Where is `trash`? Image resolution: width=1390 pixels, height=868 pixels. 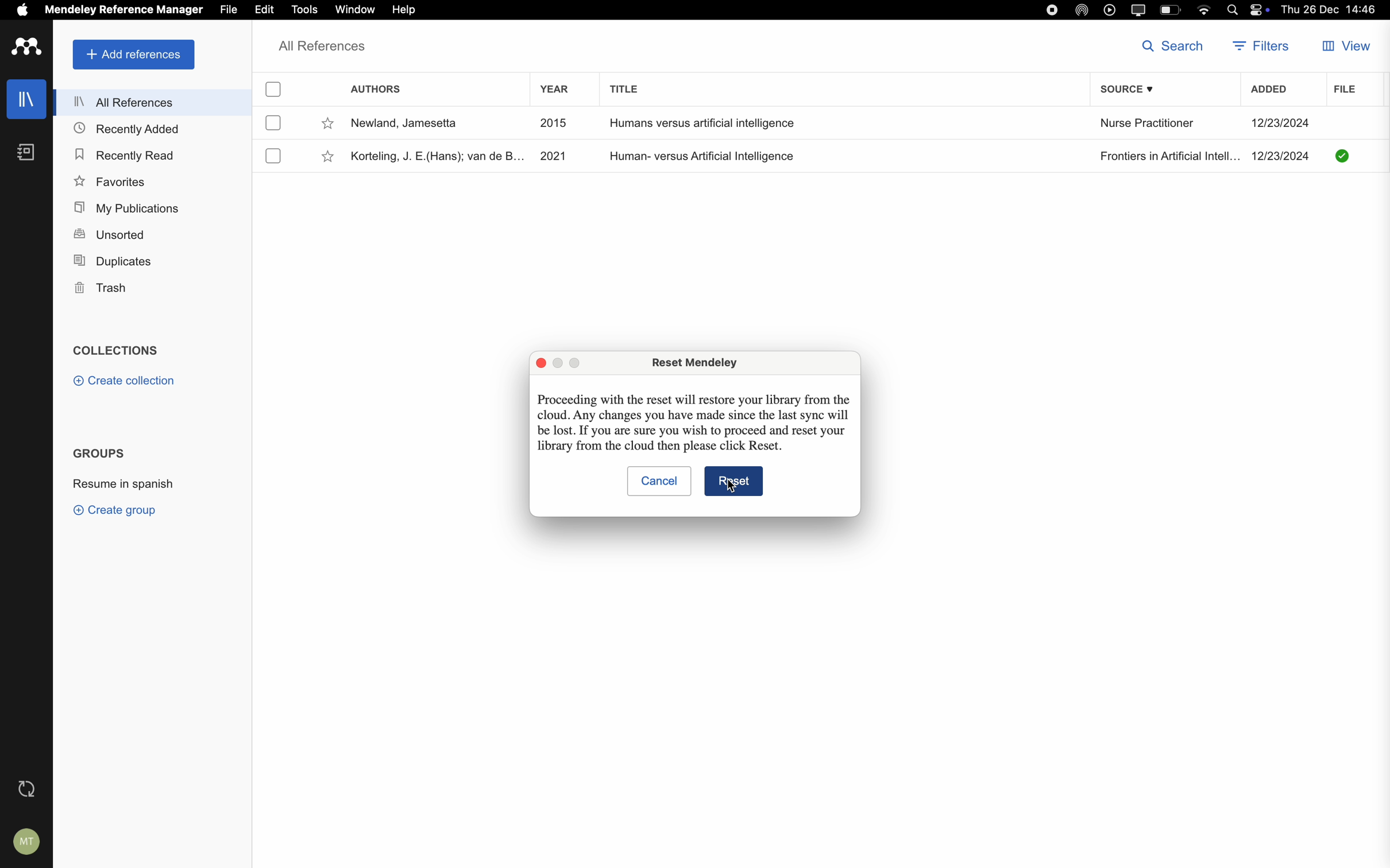
trash is located at coordinates (102, 288).